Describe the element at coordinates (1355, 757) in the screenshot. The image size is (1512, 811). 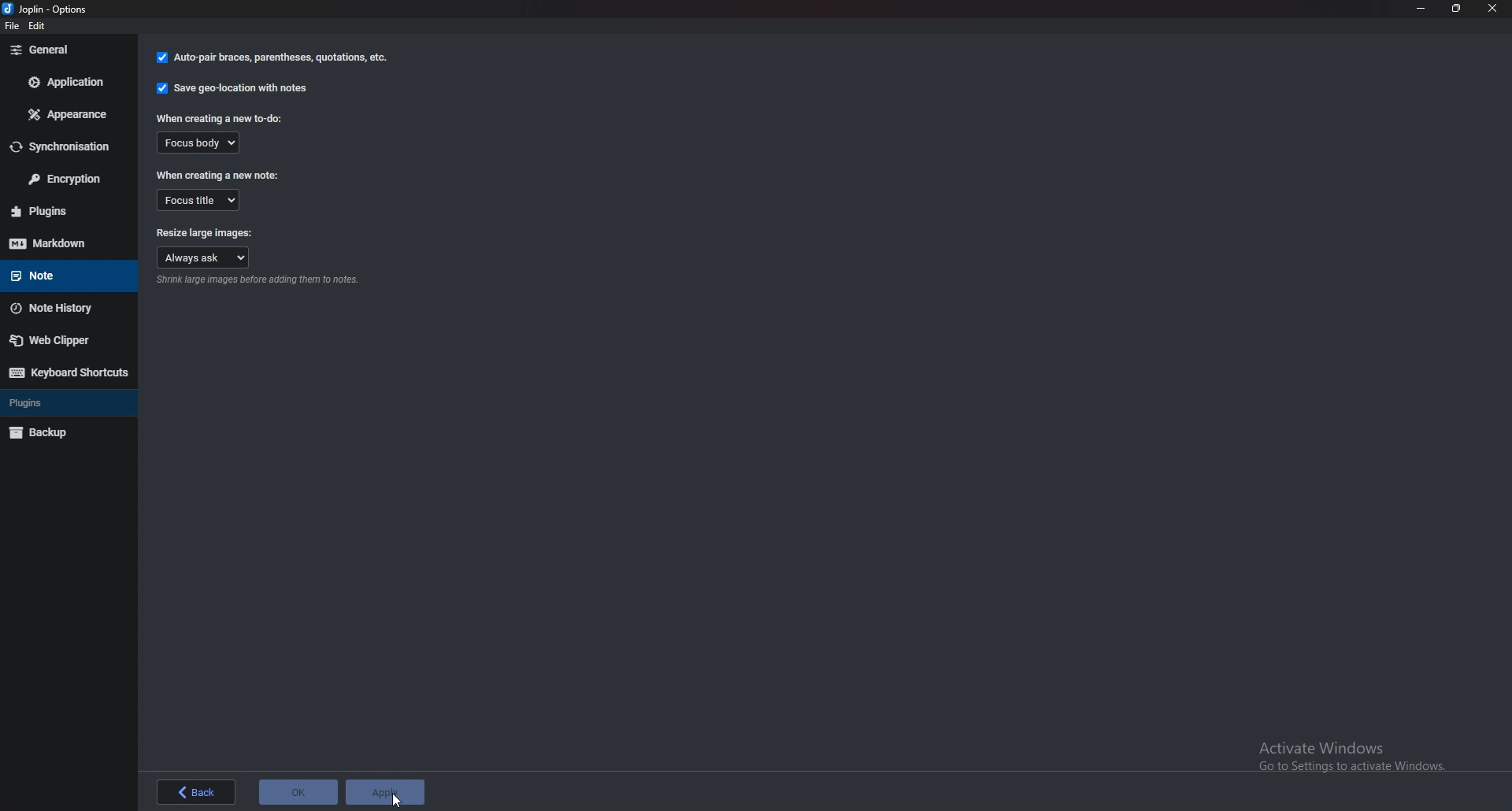
I see `Activate windows pop up` at that location.